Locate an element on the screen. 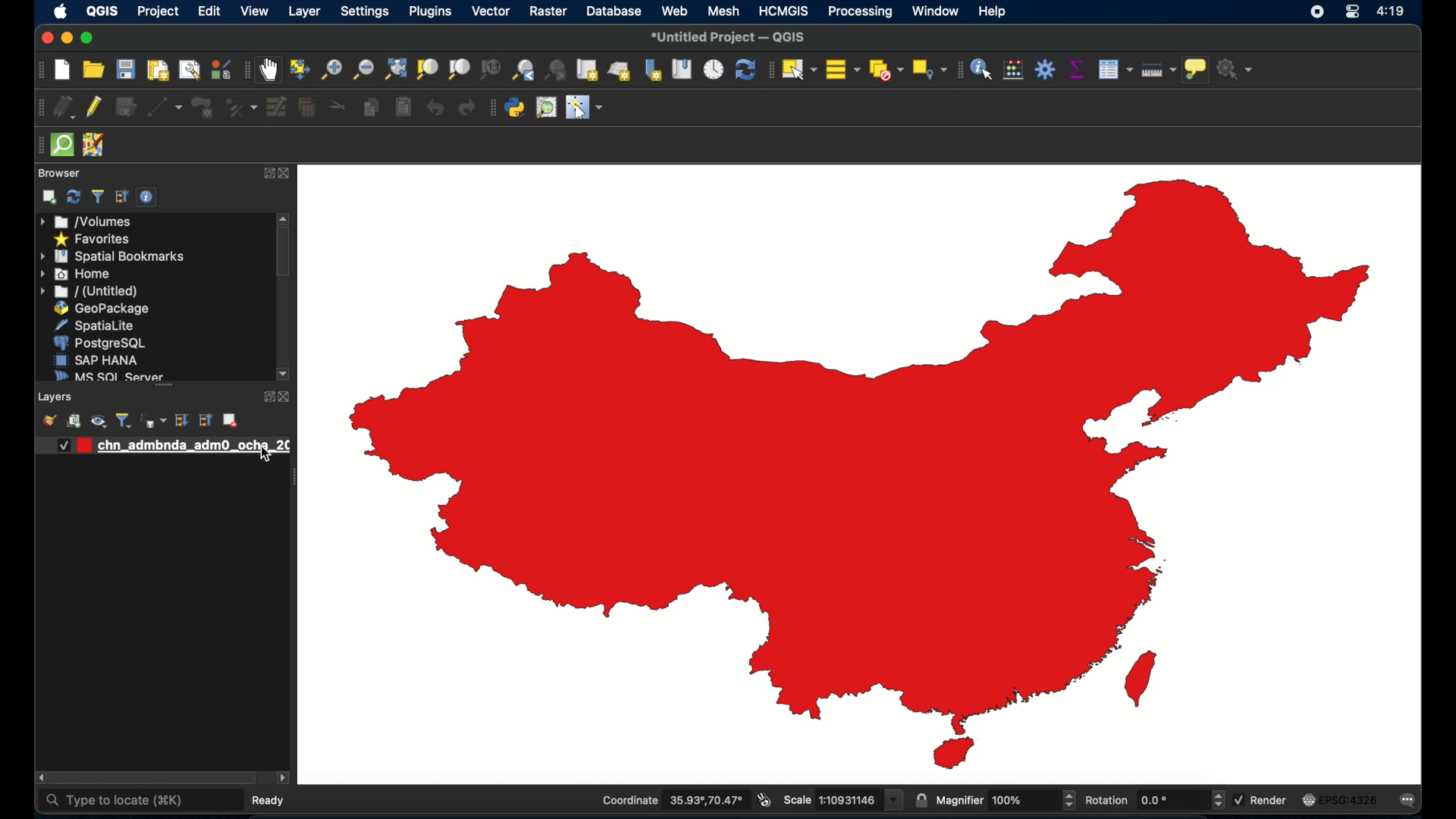  messages is located at coordinates (1410, 800).